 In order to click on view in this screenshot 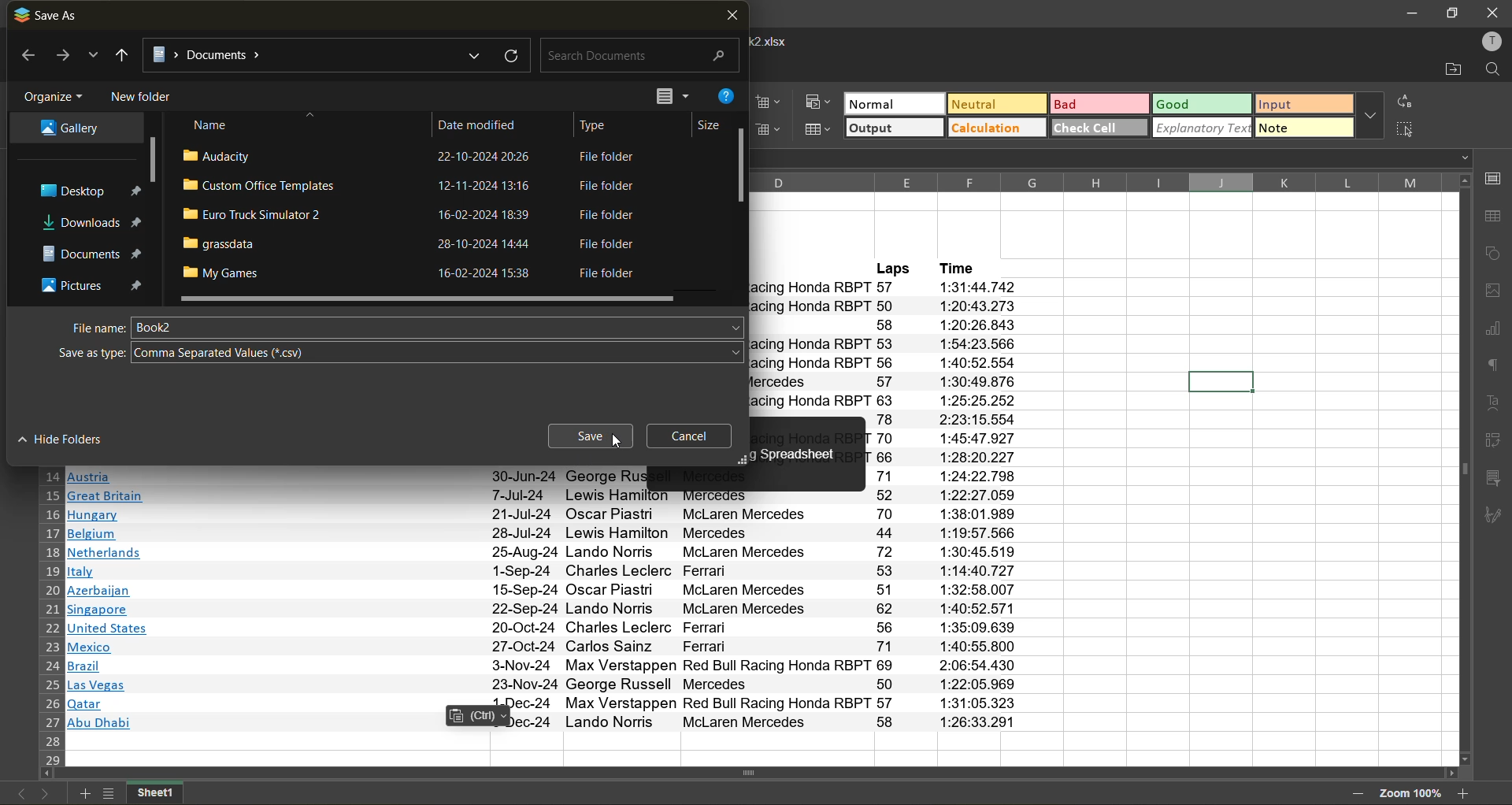, I will do `click(669, 95)`.